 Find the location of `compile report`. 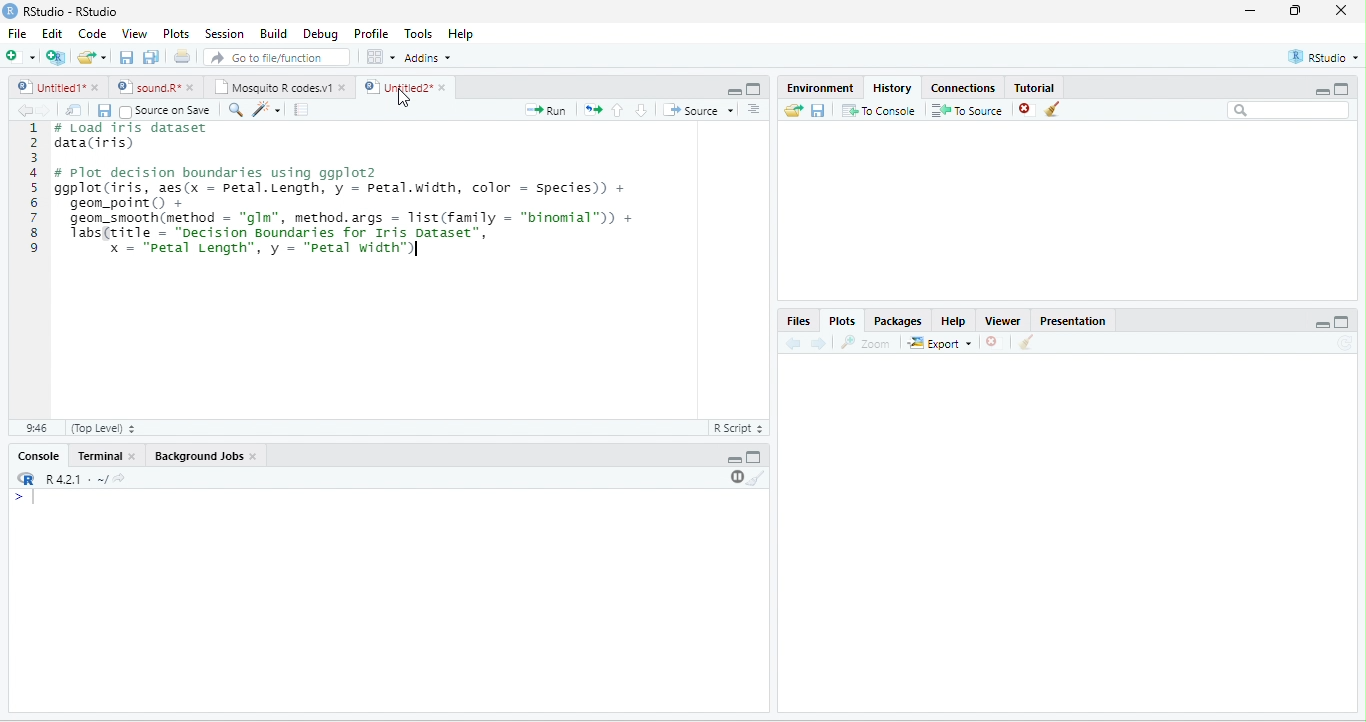

compile report is located at coordinates (301, 109).